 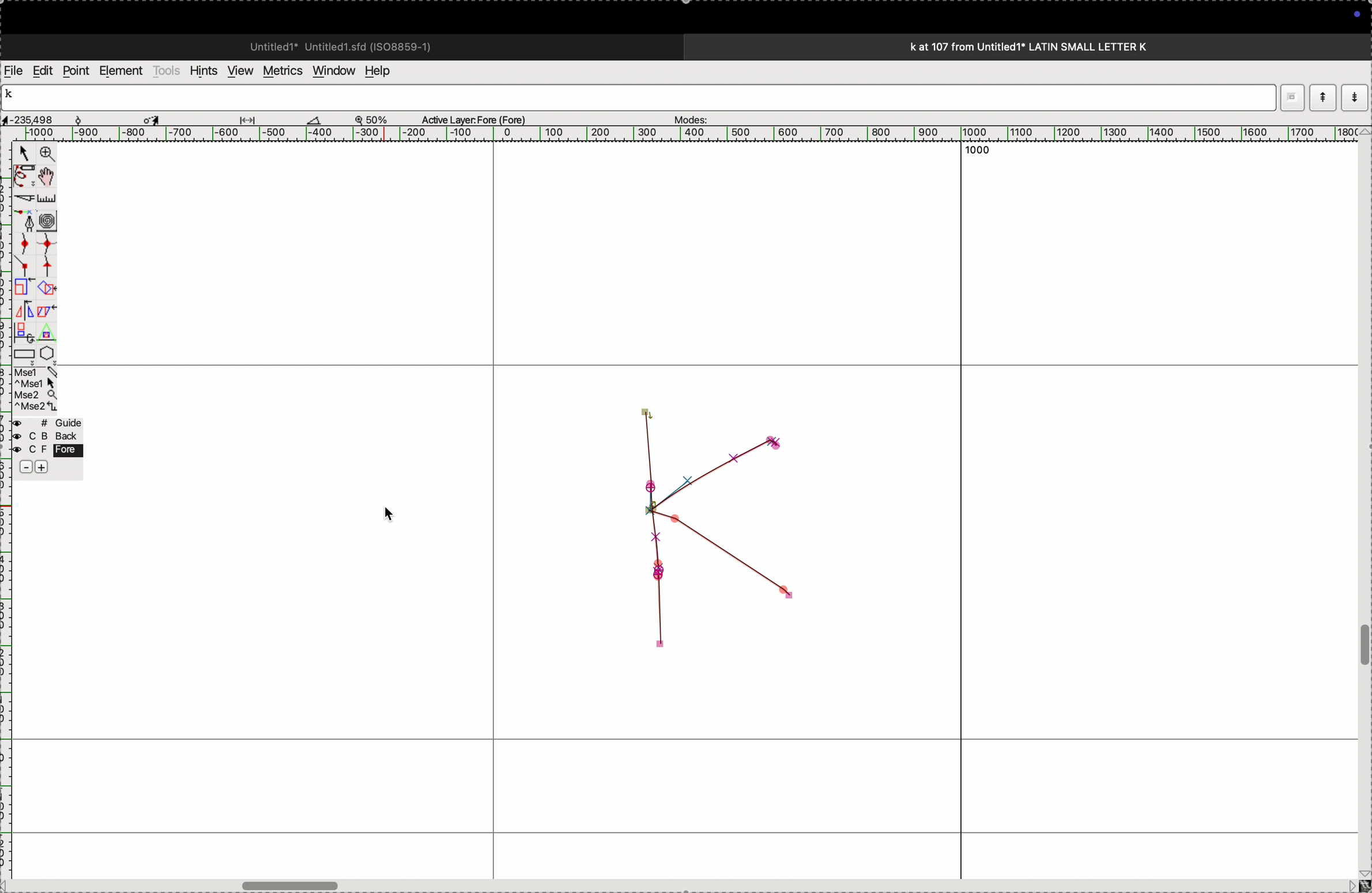 What do you see at coordinates (293, 884) in the screenshot?
I see `toggle screen` at bounding box center [293, 884].